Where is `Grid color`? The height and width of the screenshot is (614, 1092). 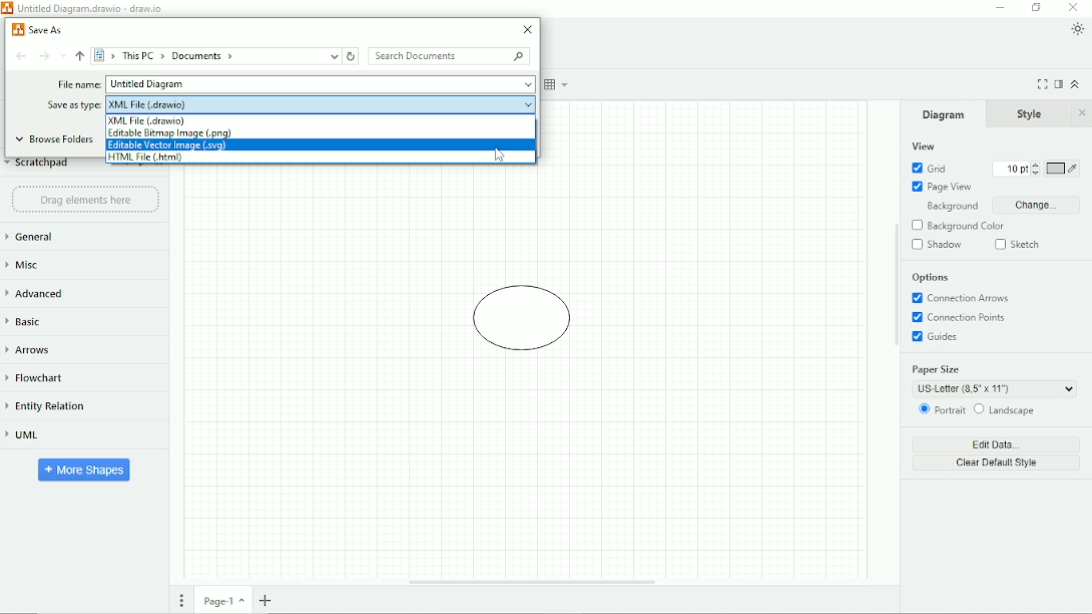 Grid color is located at coordinates (1063, 168).